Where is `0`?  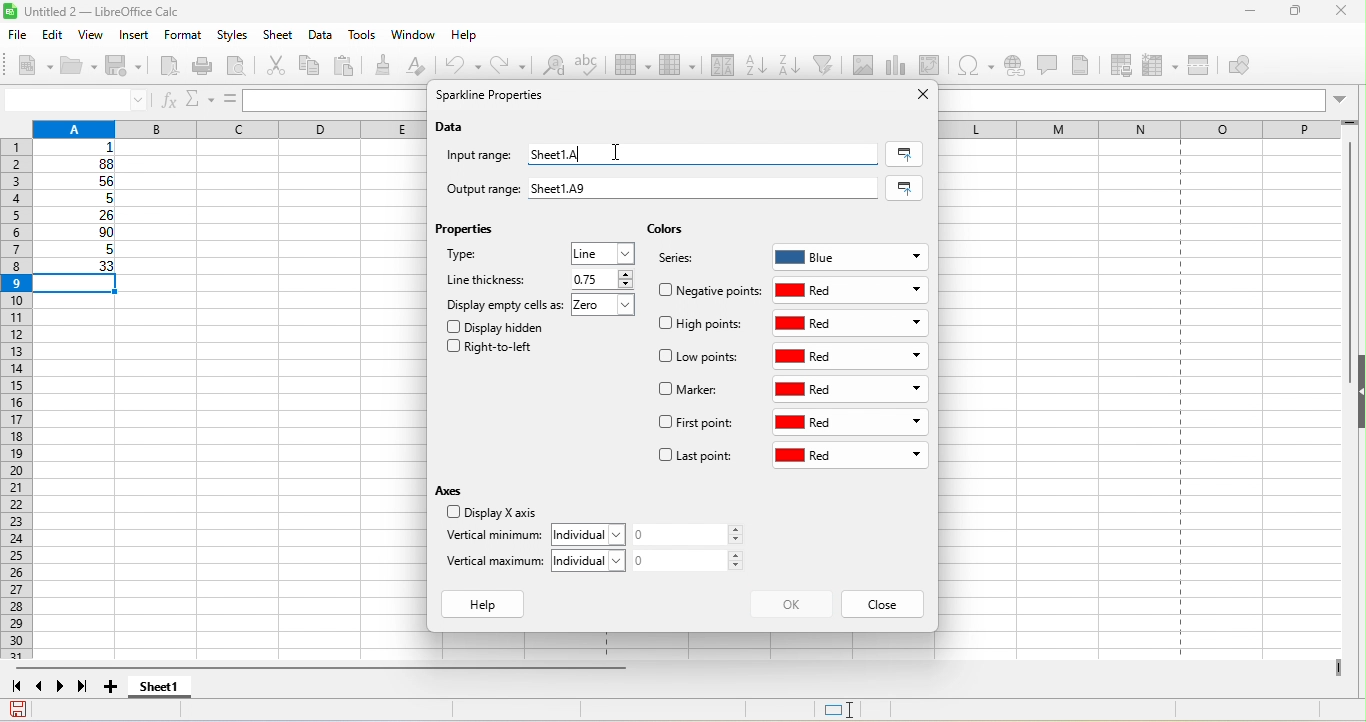 0 is located at coordinates (694, 560).